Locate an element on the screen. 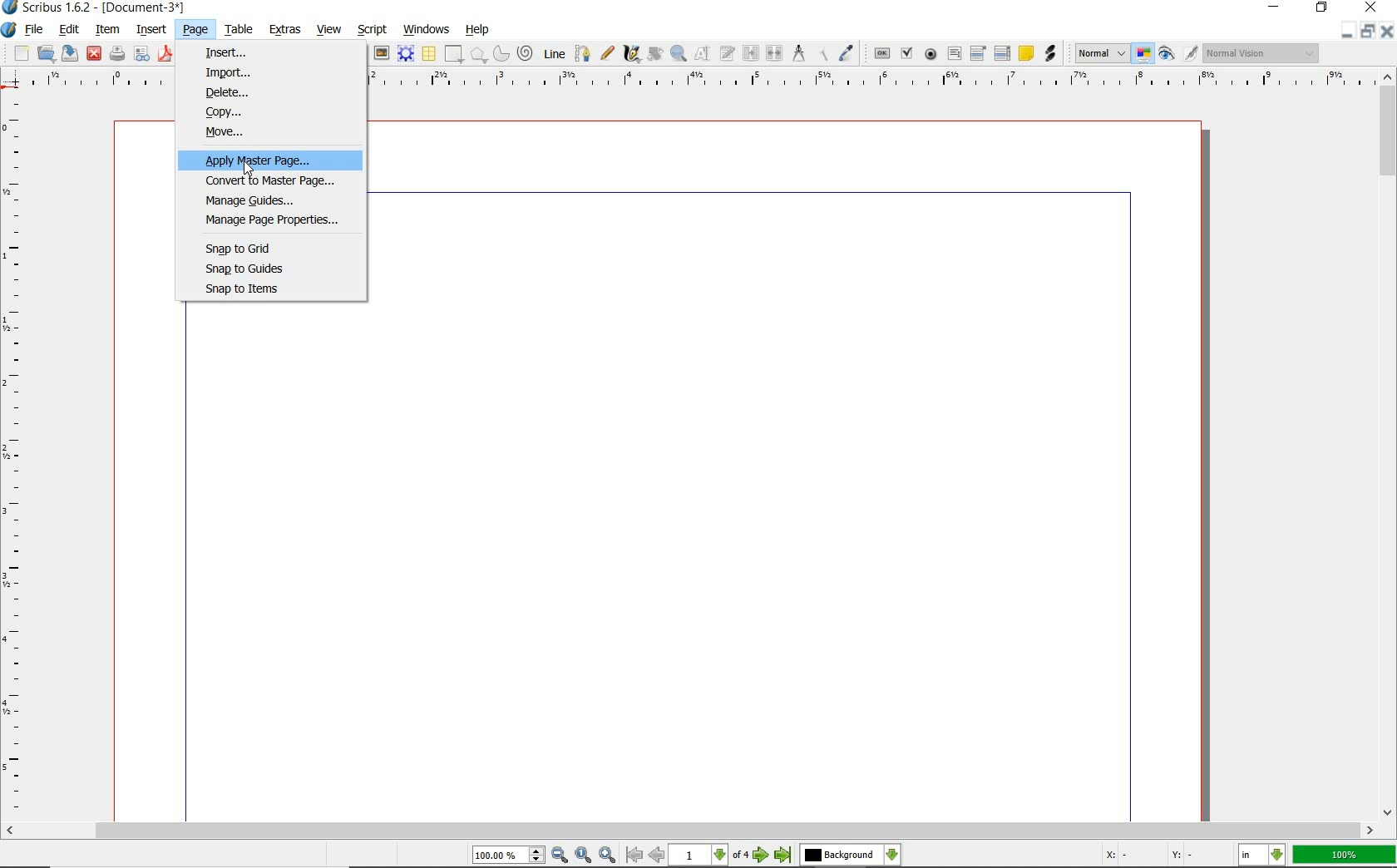 This screenshot has height=868, width=1397. copy item properties is located at coordinates (822, 54).